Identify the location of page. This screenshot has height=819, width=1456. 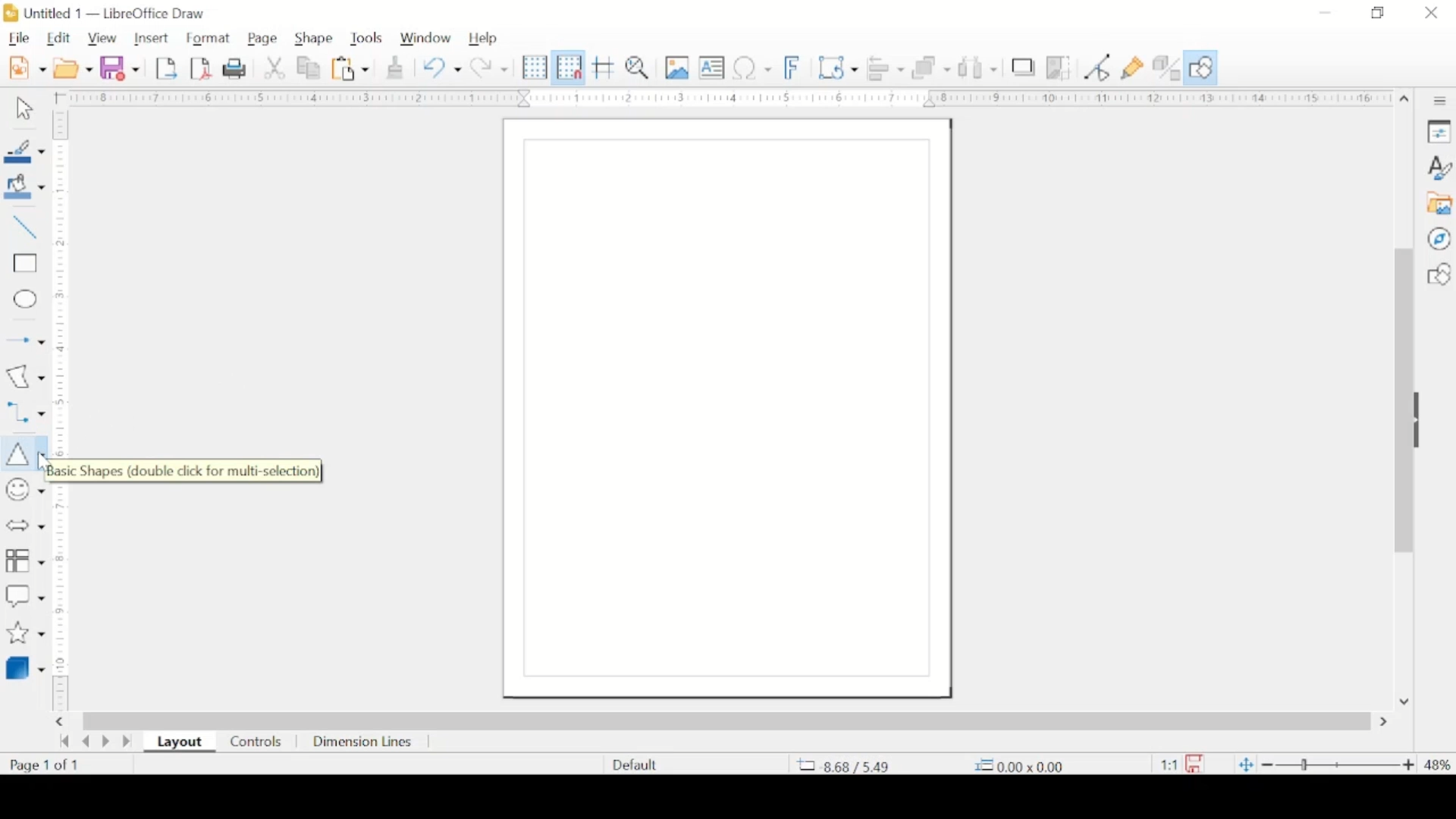
(265, 37).